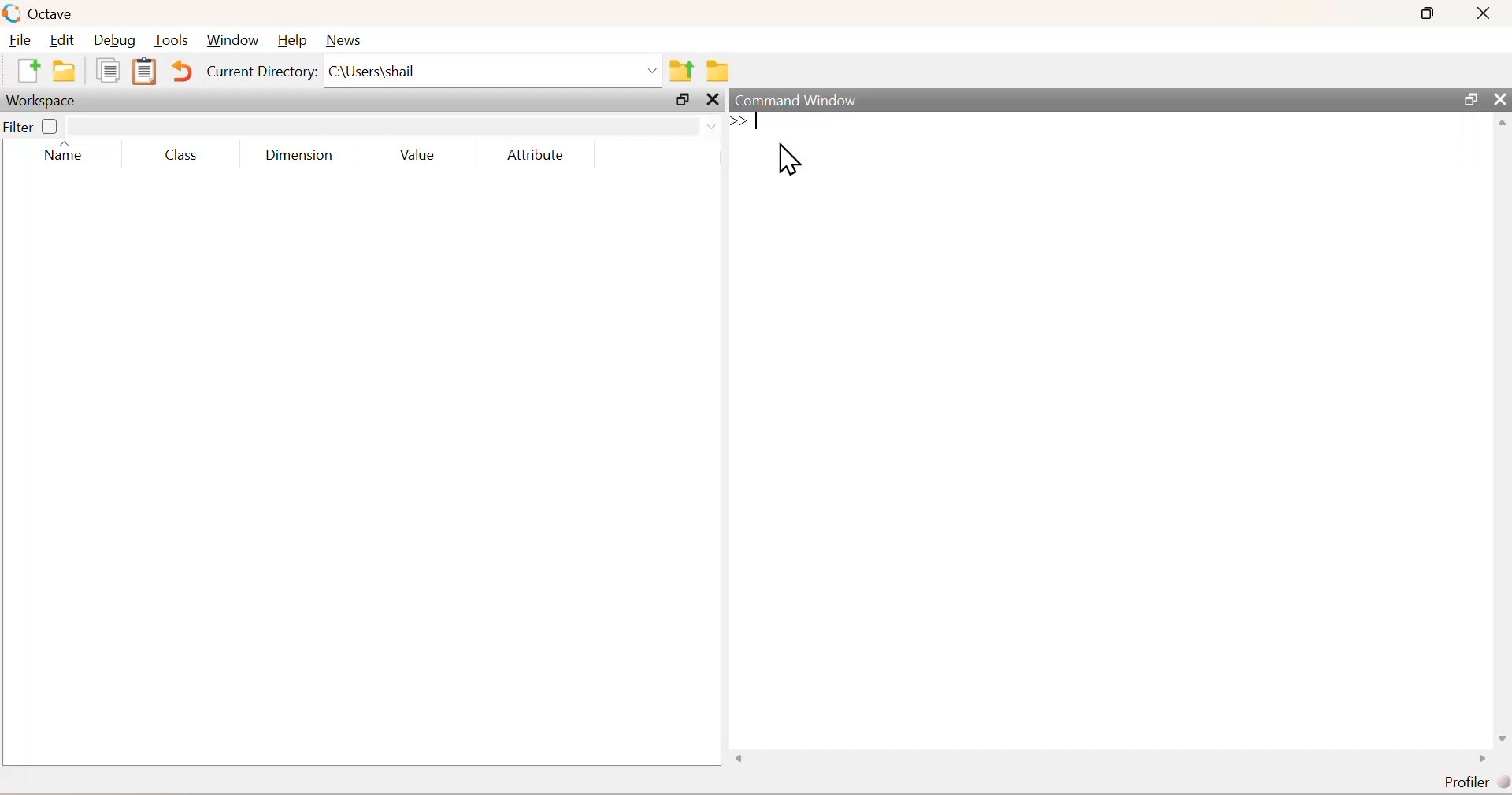 This screenshot has width=1512, height=795. I want to click on Octave, so click(52, 14).